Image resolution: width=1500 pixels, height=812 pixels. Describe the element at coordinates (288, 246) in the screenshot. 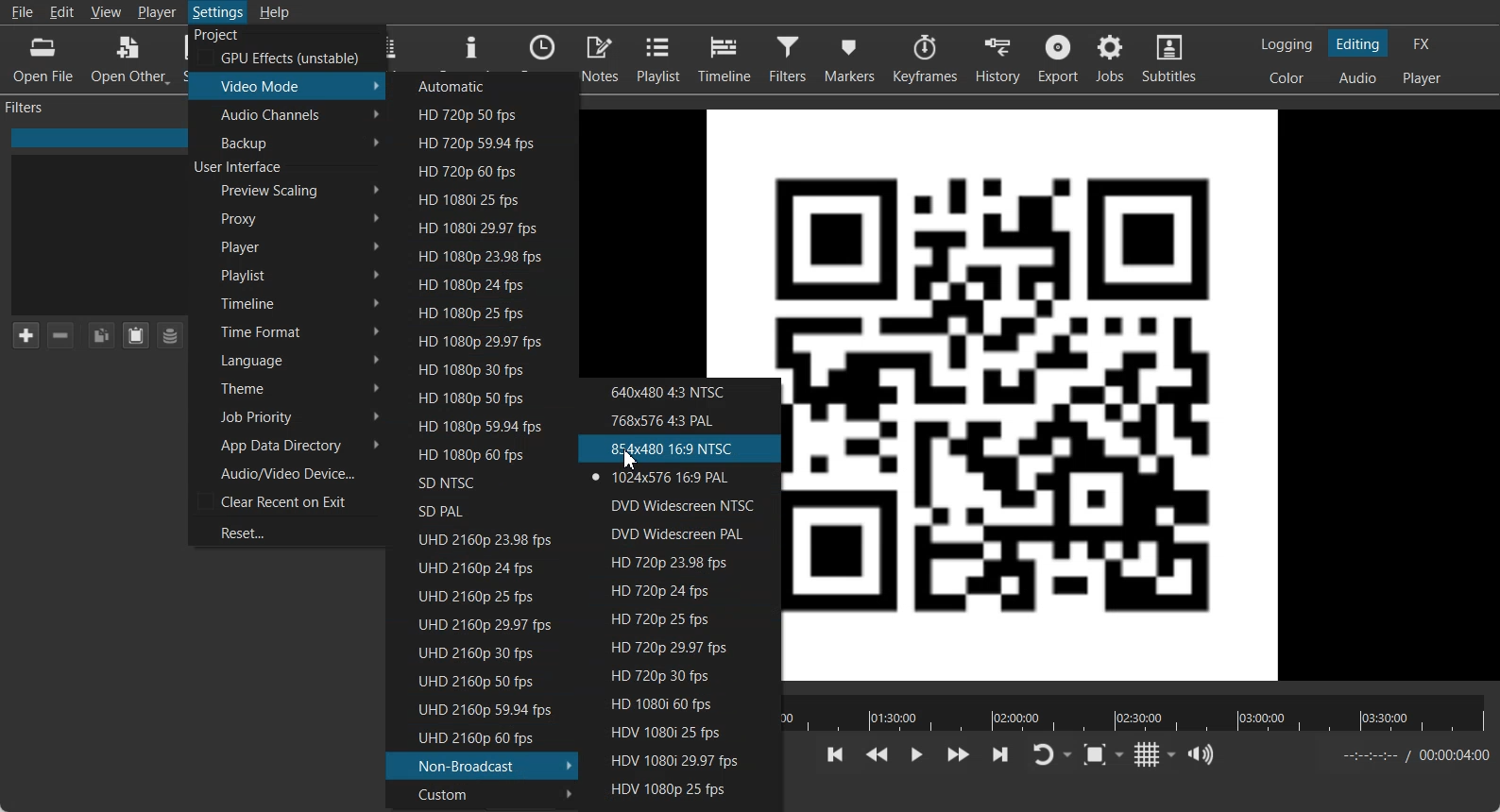

I see `Player` at that location.